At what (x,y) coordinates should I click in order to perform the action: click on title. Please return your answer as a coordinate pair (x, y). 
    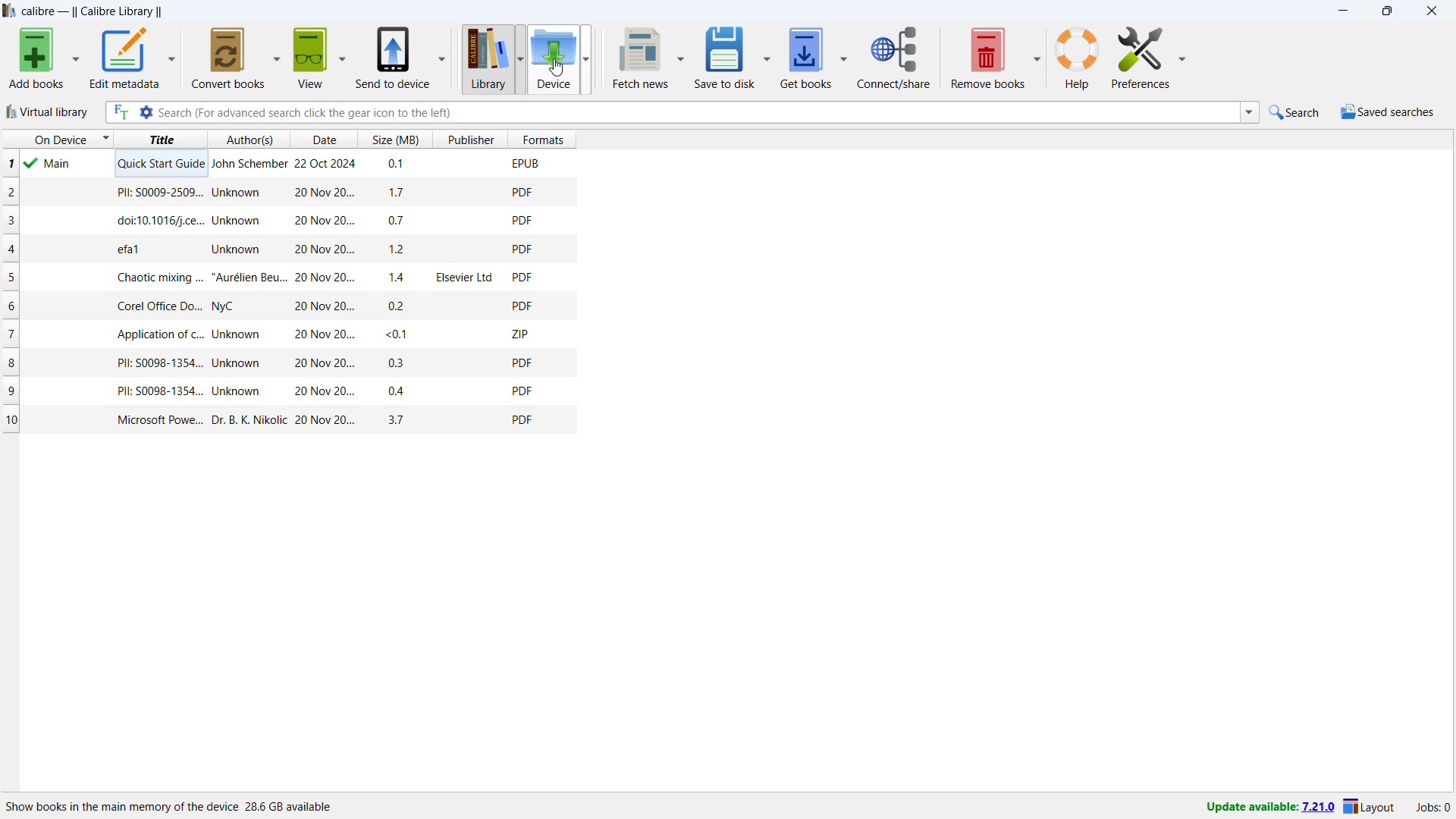
    Looking at the image, I should click on (93, 11).